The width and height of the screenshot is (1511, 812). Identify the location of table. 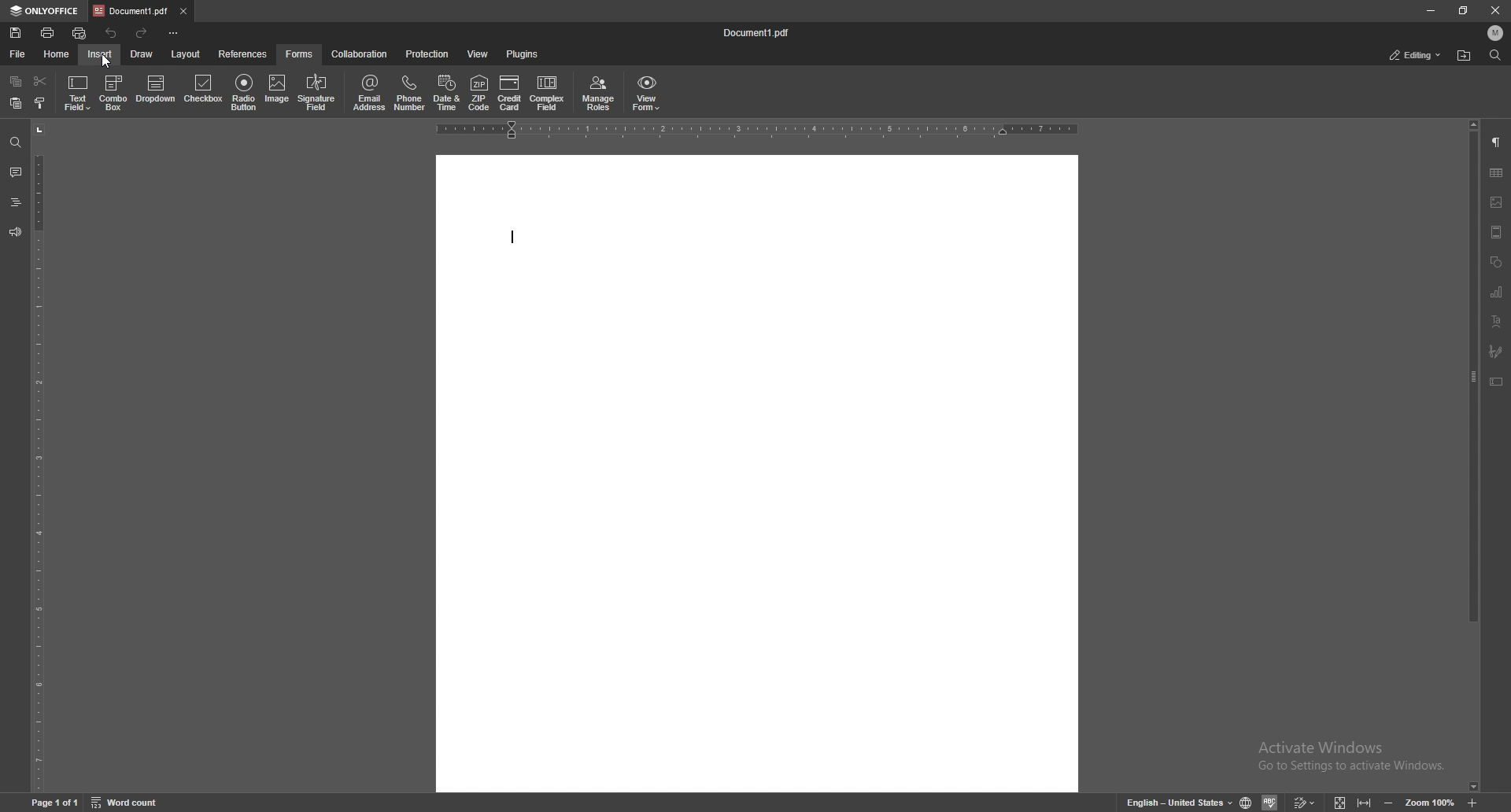
(1498, 172).